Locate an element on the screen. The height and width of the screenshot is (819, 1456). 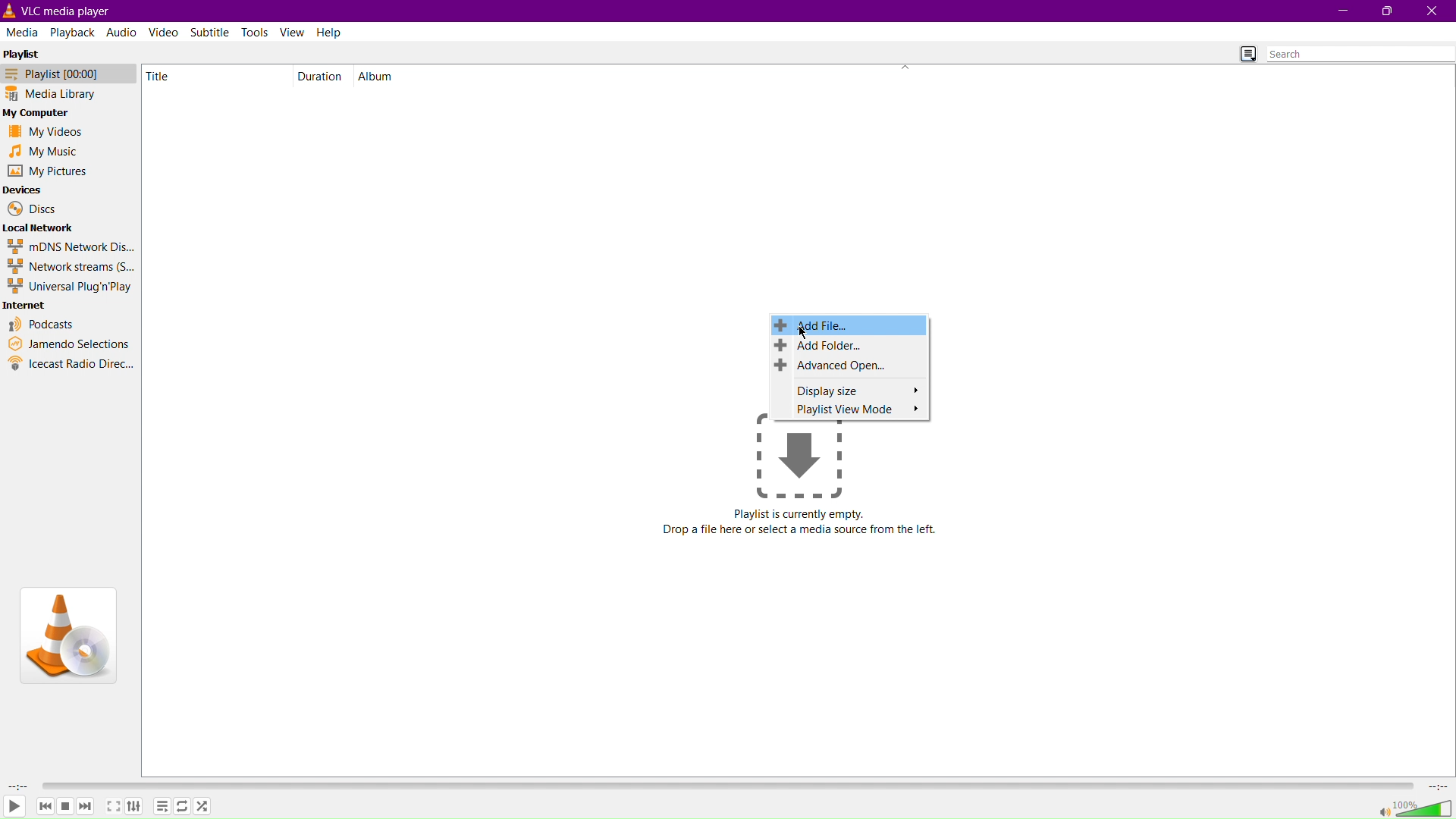
Advanced Open is located at coordinates (848, 365).